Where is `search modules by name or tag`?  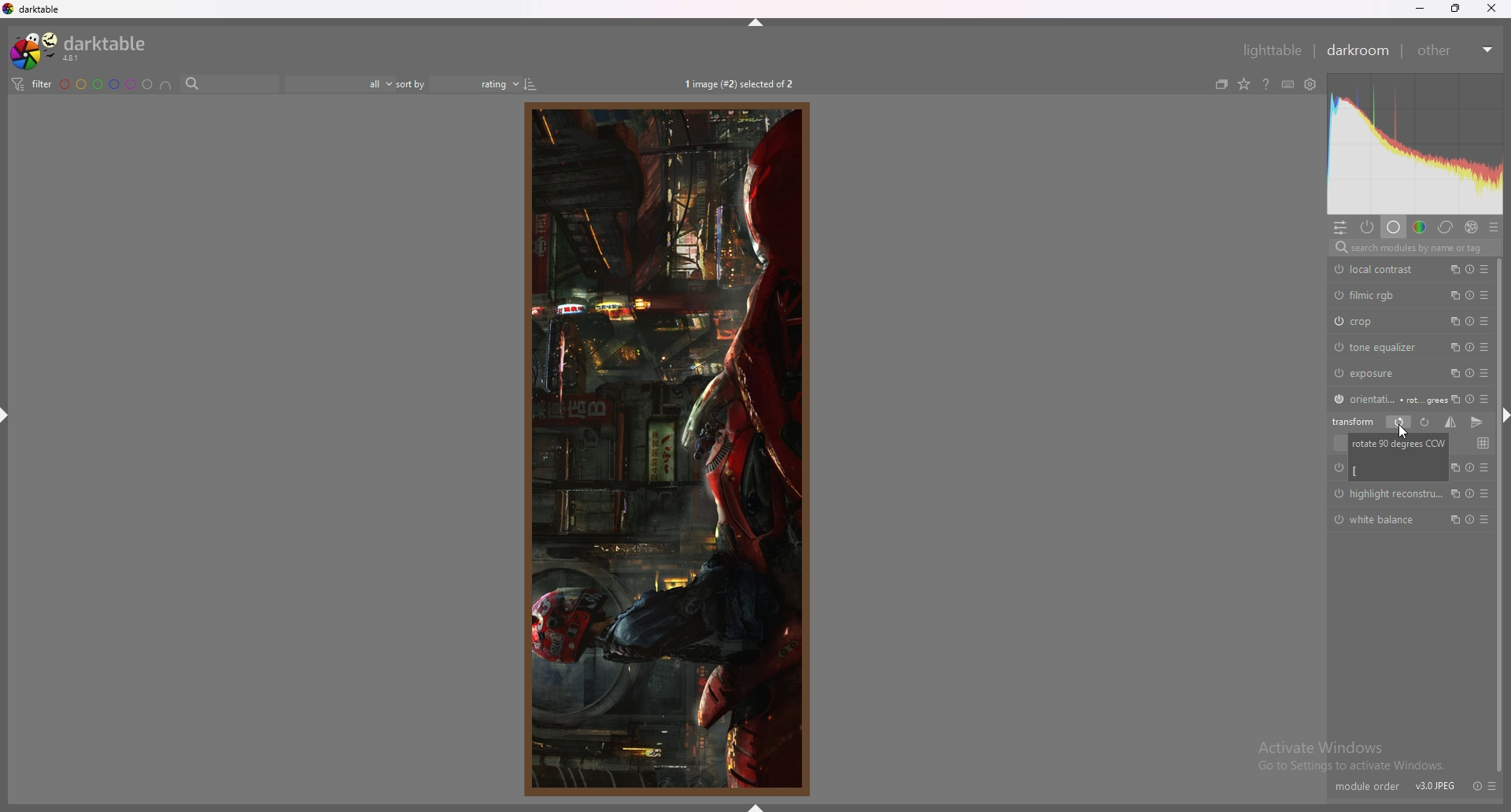
search modules by name or tag is located at coordinates (1413, 248).